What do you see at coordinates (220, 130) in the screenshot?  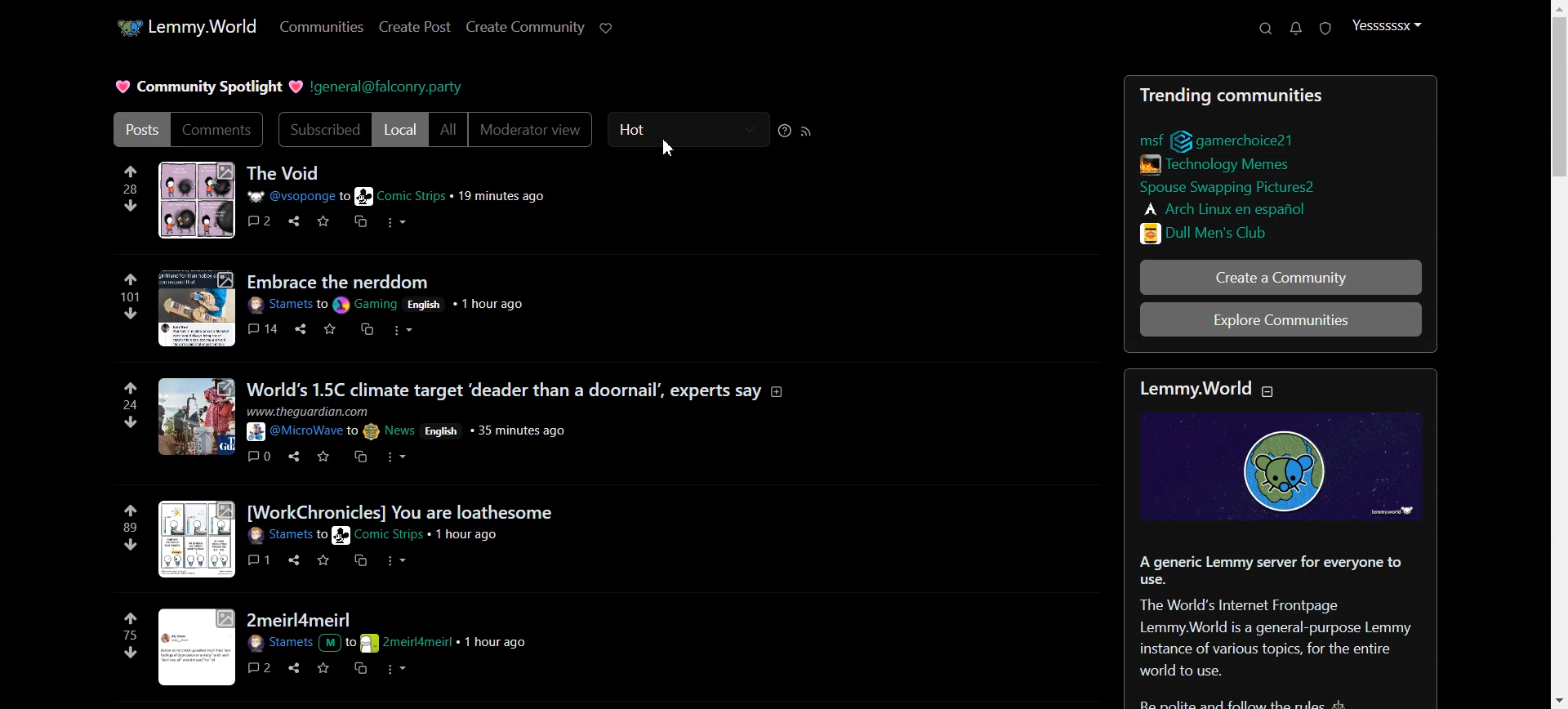 I see `Comments` at bounding box center [220, 130].